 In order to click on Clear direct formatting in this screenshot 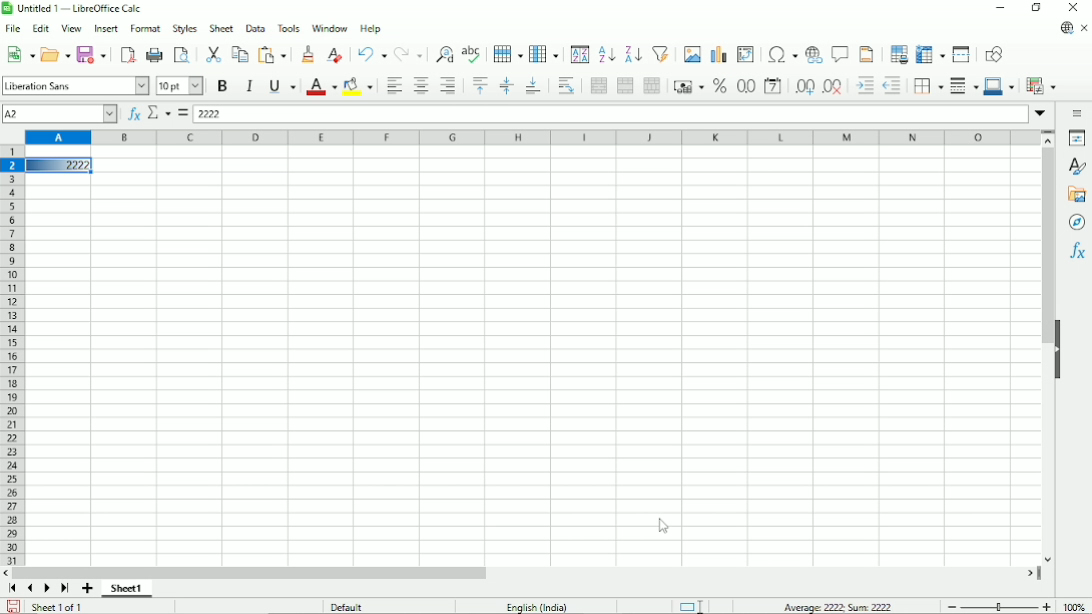, I will do `click(334, 55)`.